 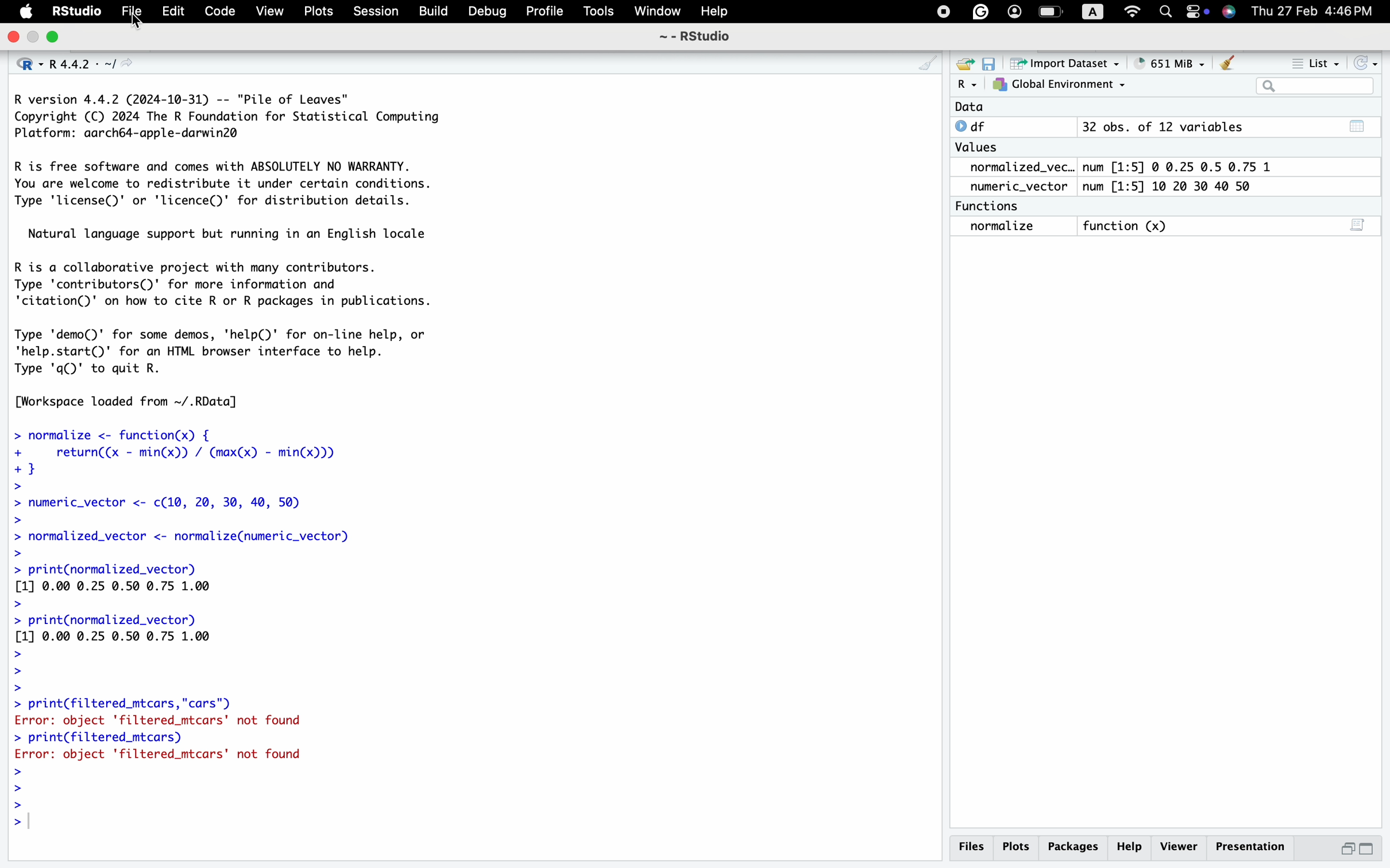 What do you see at coordinates (14, 36) in the screenshot?
I see `close` at bounding box center [14, 36].